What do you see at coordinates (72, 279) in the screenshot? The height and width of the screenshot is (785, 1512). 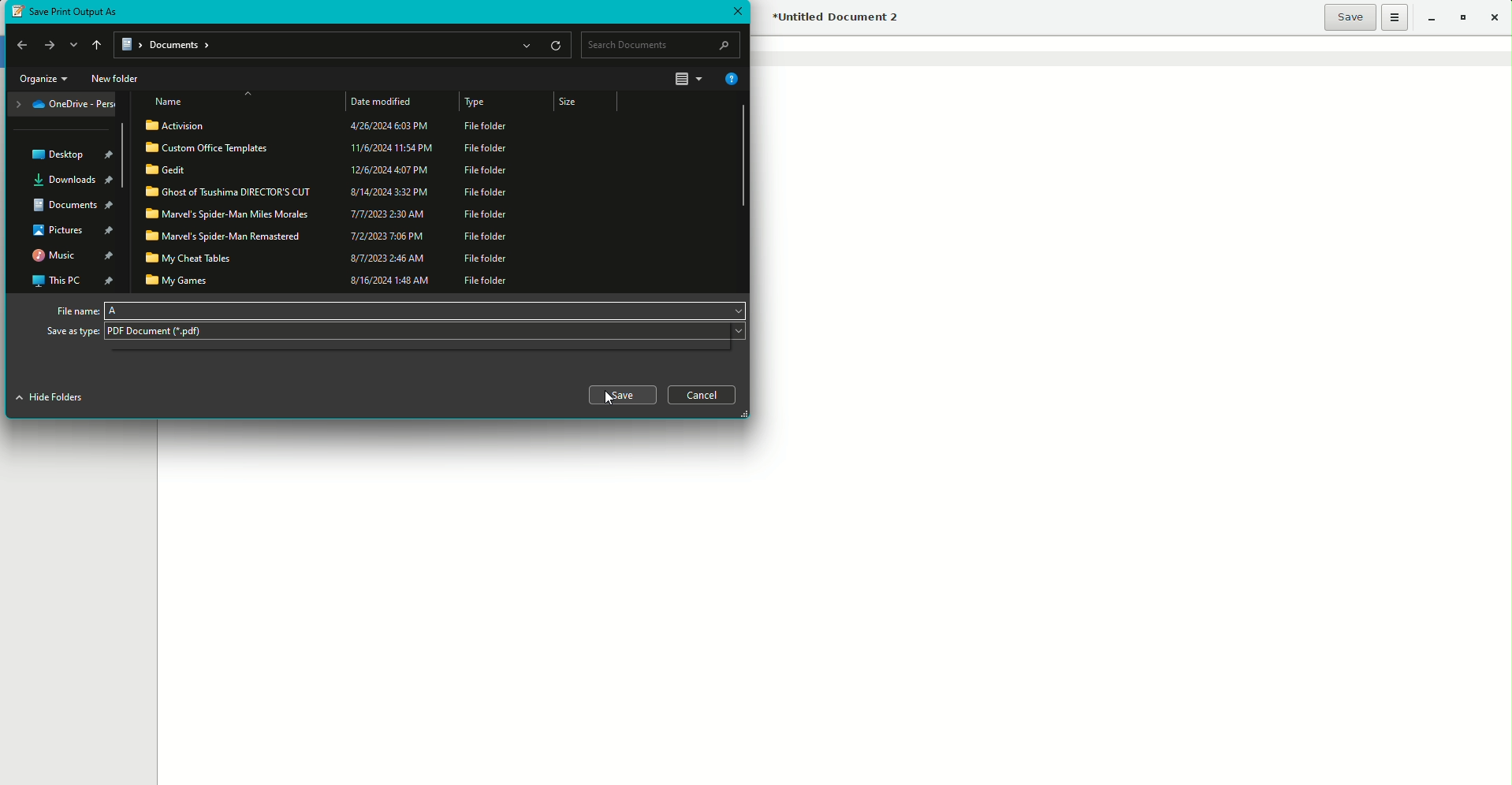 I see `This PC` at bounding box center [72, 279].